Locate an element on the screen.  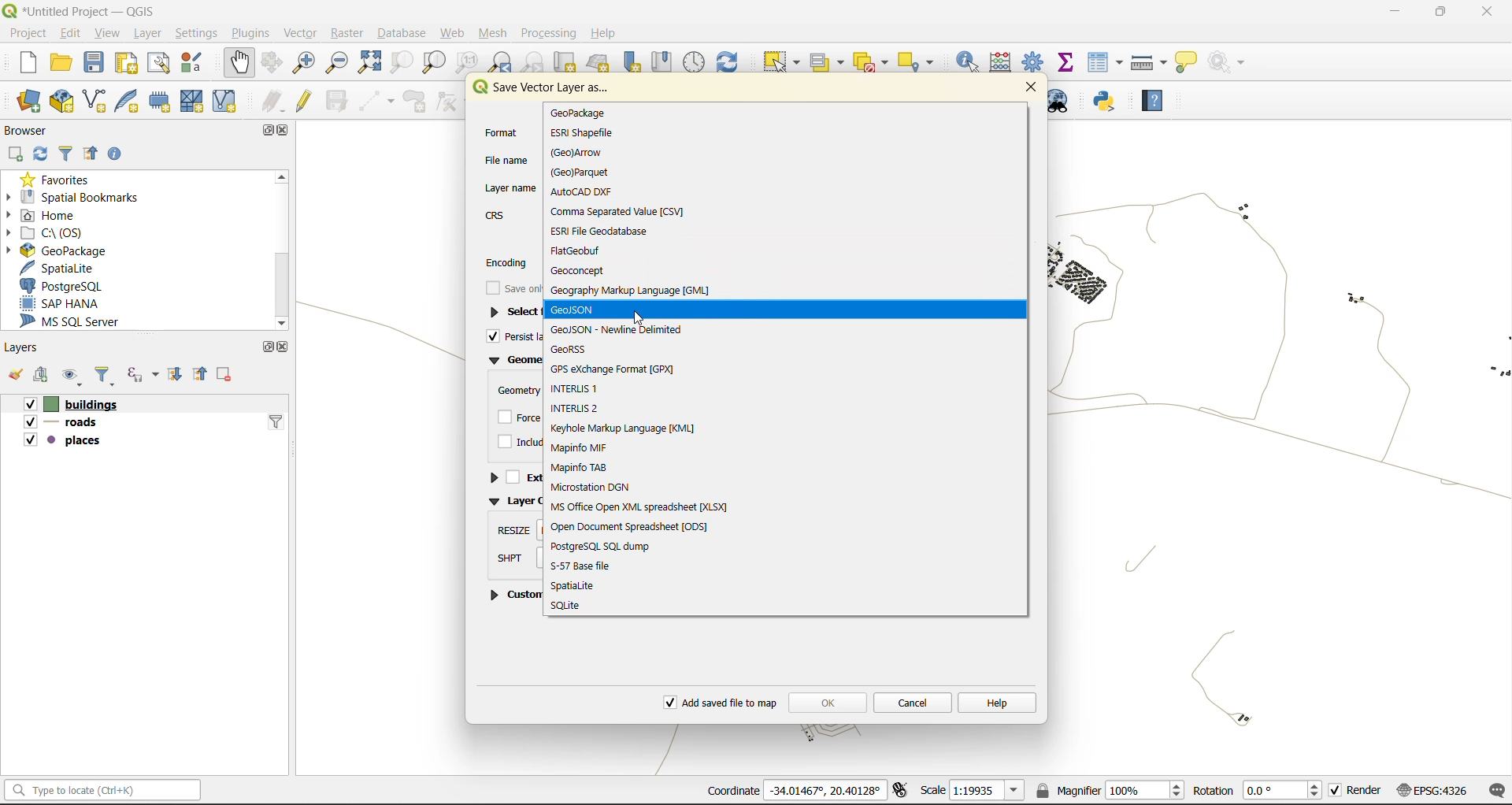
deselect value is located at coordinates (874, 63).